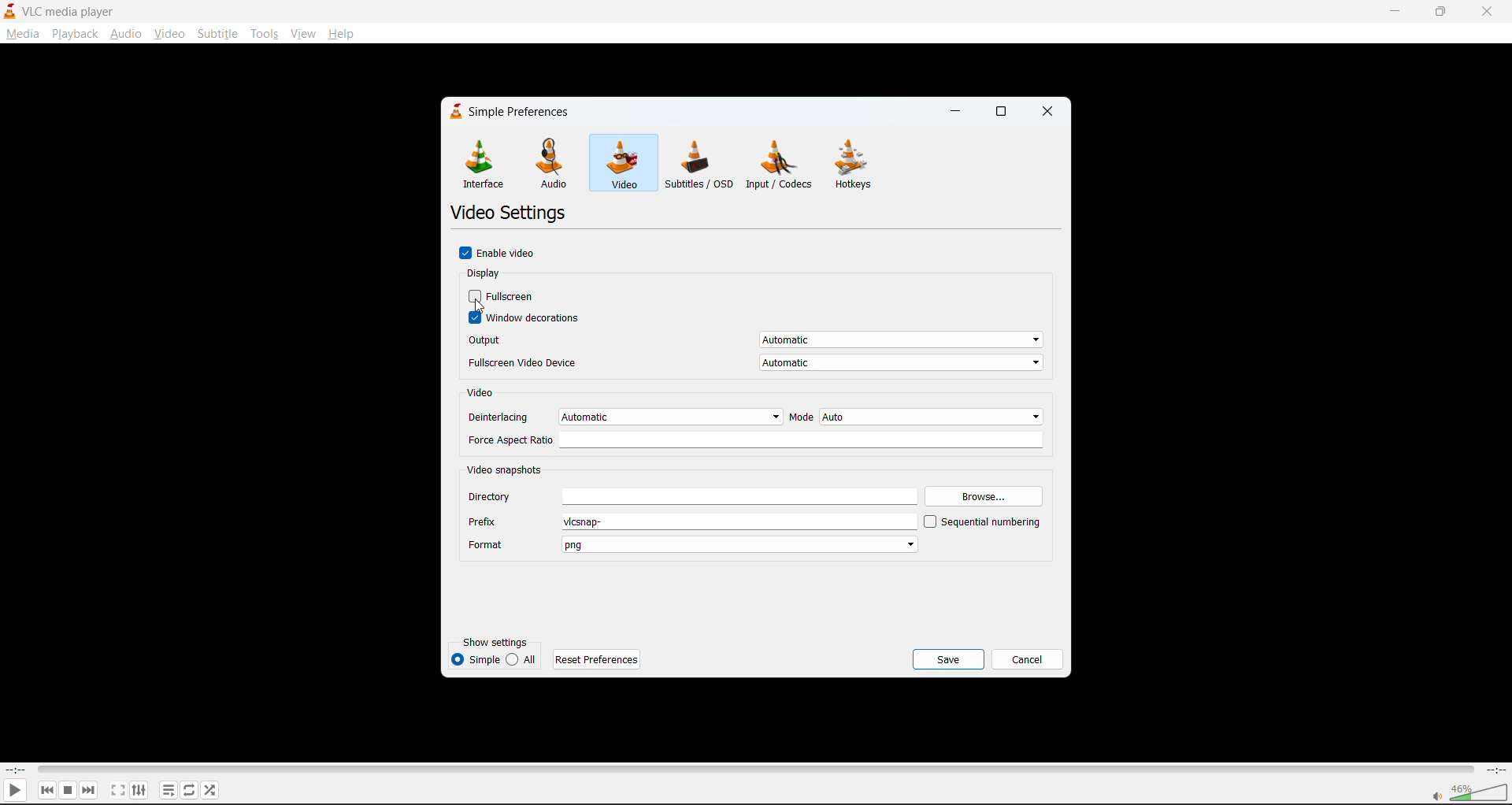 This screenshot has height=805, width=1512. What do you see at coordinates (699, 165) in the screenshot?
I see `subtitles/osd` at bounding box center [699, 165].